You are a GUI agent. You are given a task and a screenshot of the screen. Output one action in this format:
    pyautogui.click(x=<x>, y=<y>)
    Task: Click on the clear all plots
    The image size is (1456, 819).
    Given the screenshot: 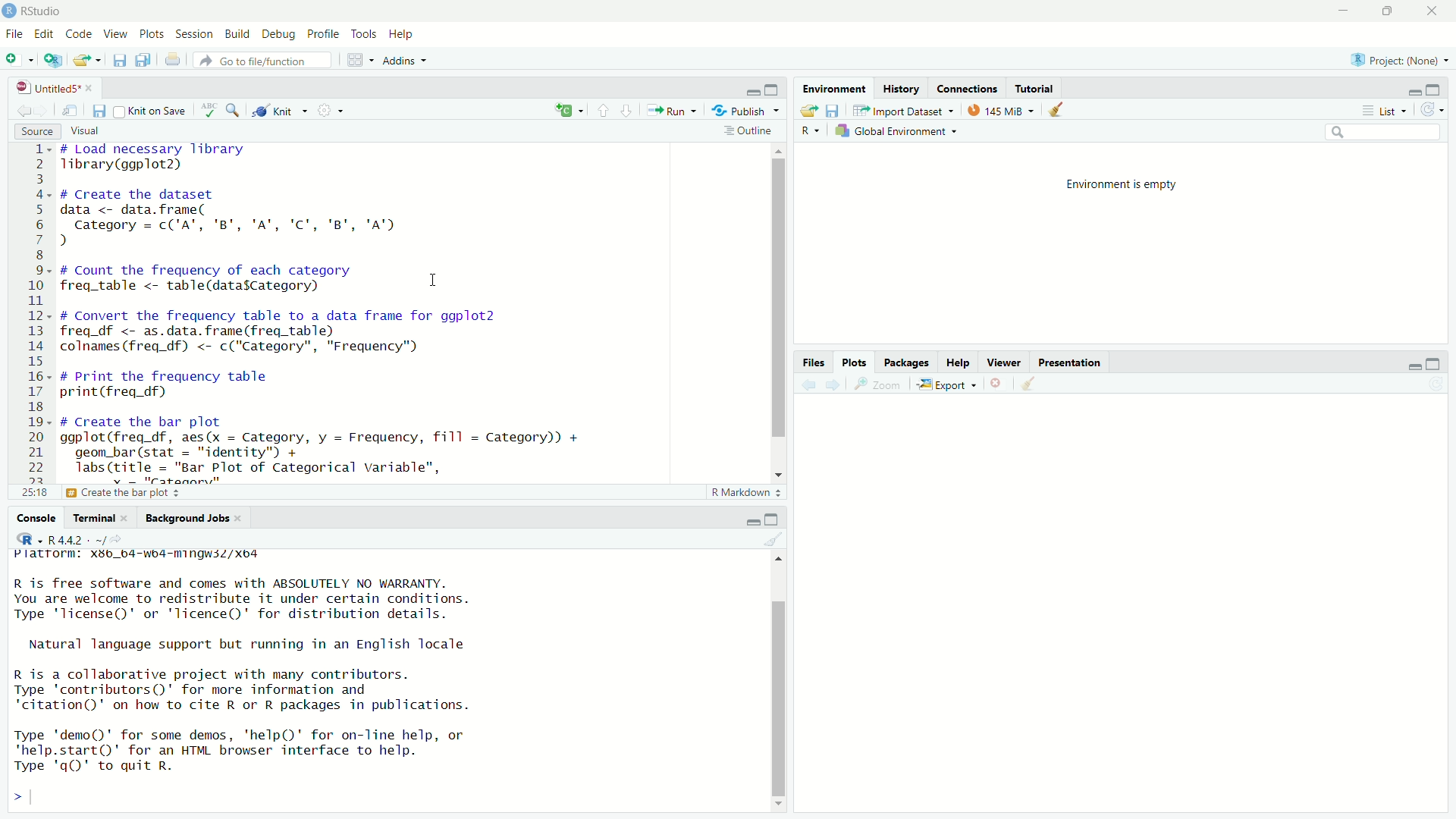 What is the action you would take?
    pyautogui.click(x=1030, y=384)
    